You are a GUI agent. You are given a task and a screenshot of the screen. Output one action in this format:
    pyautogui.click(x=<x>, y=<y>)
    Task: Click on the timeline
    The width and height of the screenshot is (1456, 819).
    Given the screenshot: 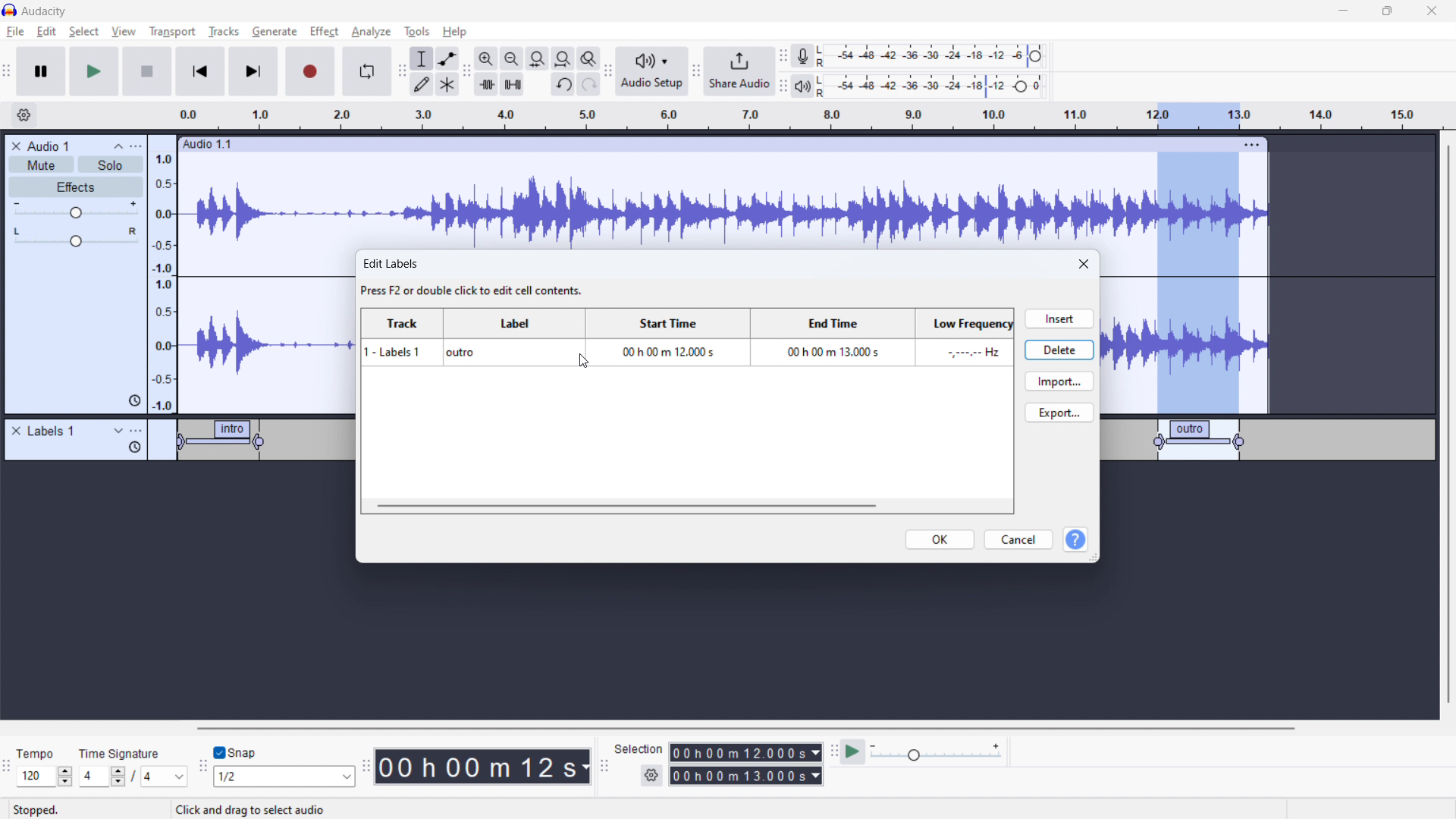 What is the action you would take?
    pyautogui.click(x=724, y=636)
    